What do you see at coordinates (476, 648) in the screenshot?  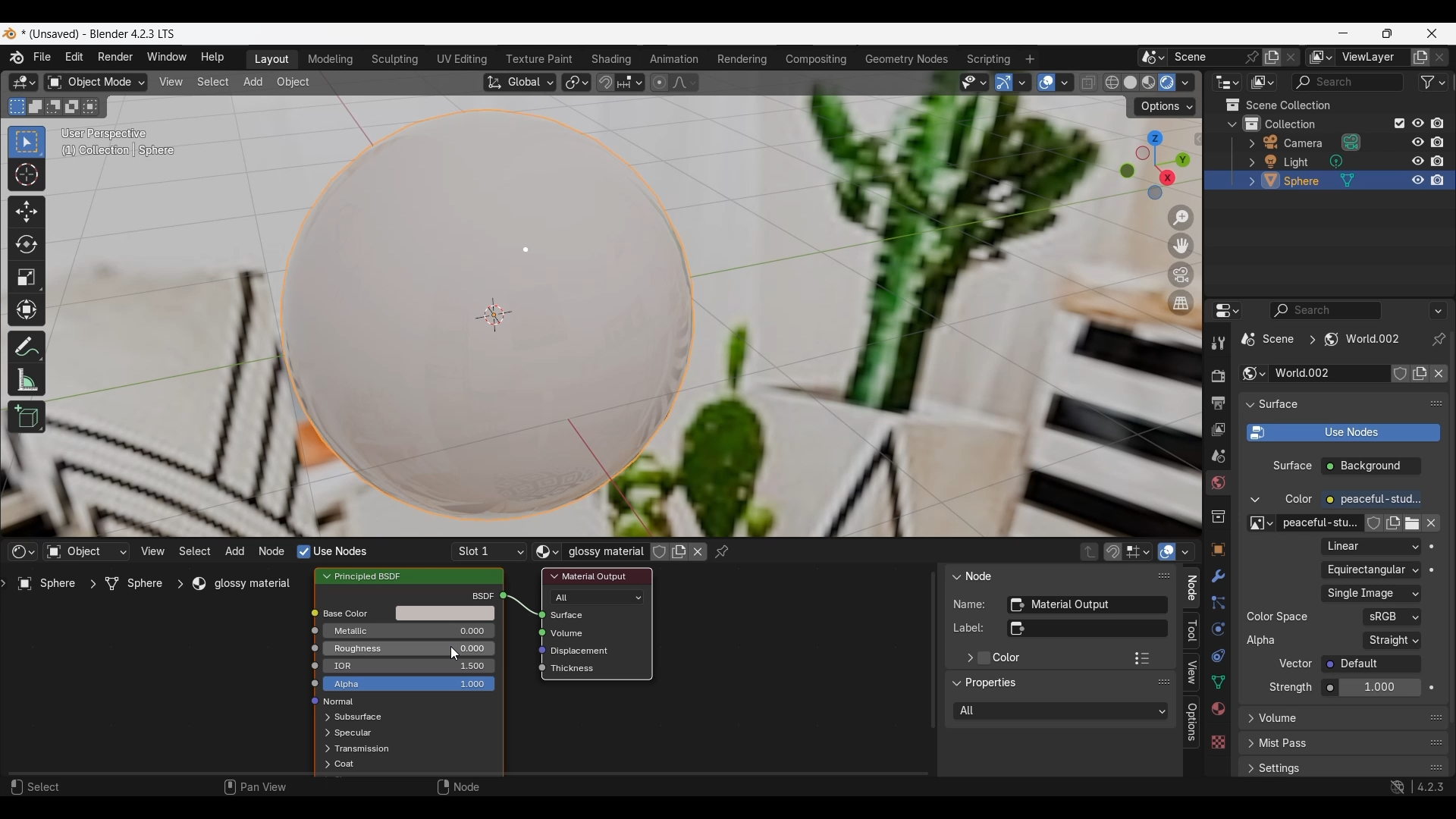 I see `Roughness value` at bounding box center [476, 648].